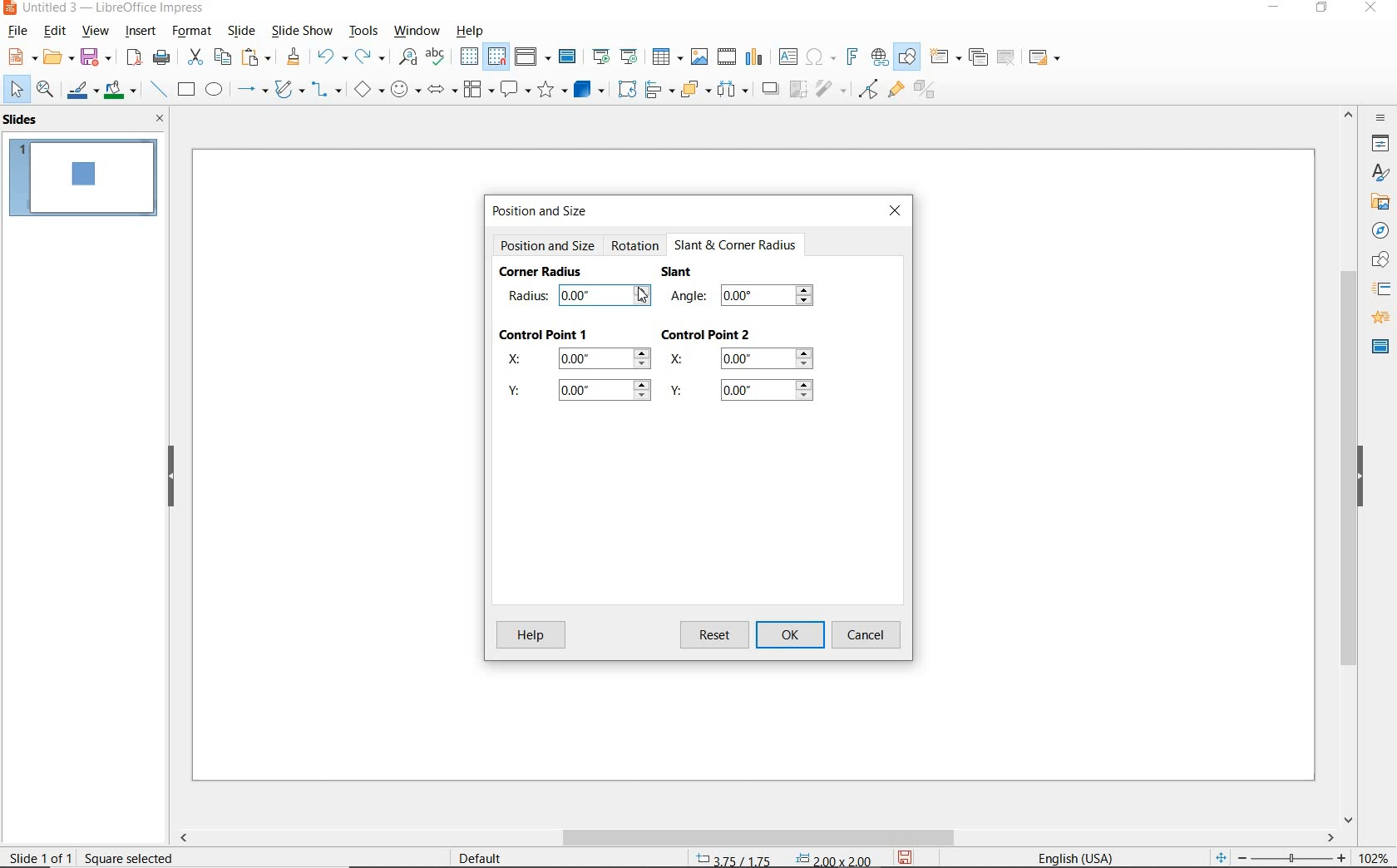 The image size is (1397, 868). Describe the element at coordinates (580, 394) in the screenshot. I see `Y` at that location.